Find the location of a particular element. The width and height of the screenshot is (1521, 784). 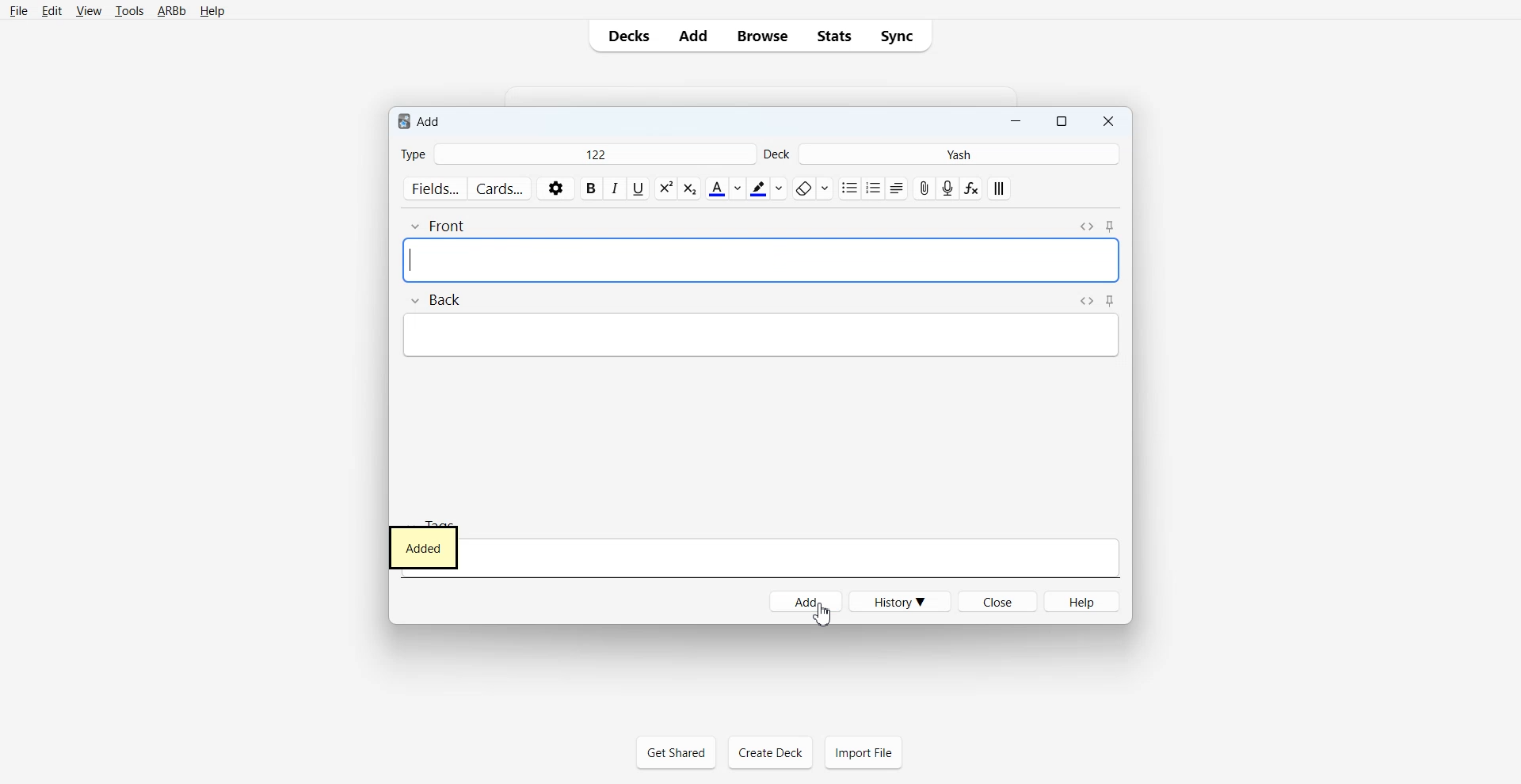

Text is located at coordinates (421, 120).